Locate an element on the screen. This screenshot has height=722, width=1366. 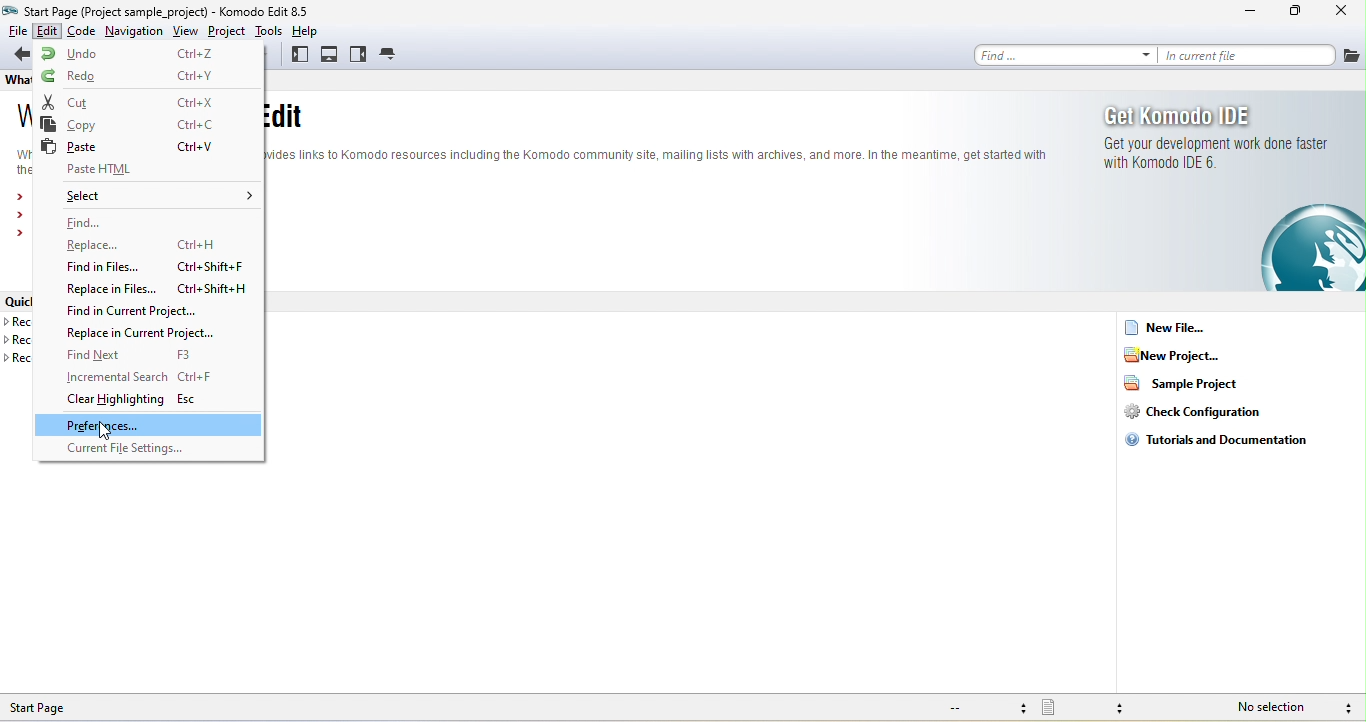
file is located at coordinates (15, 31).